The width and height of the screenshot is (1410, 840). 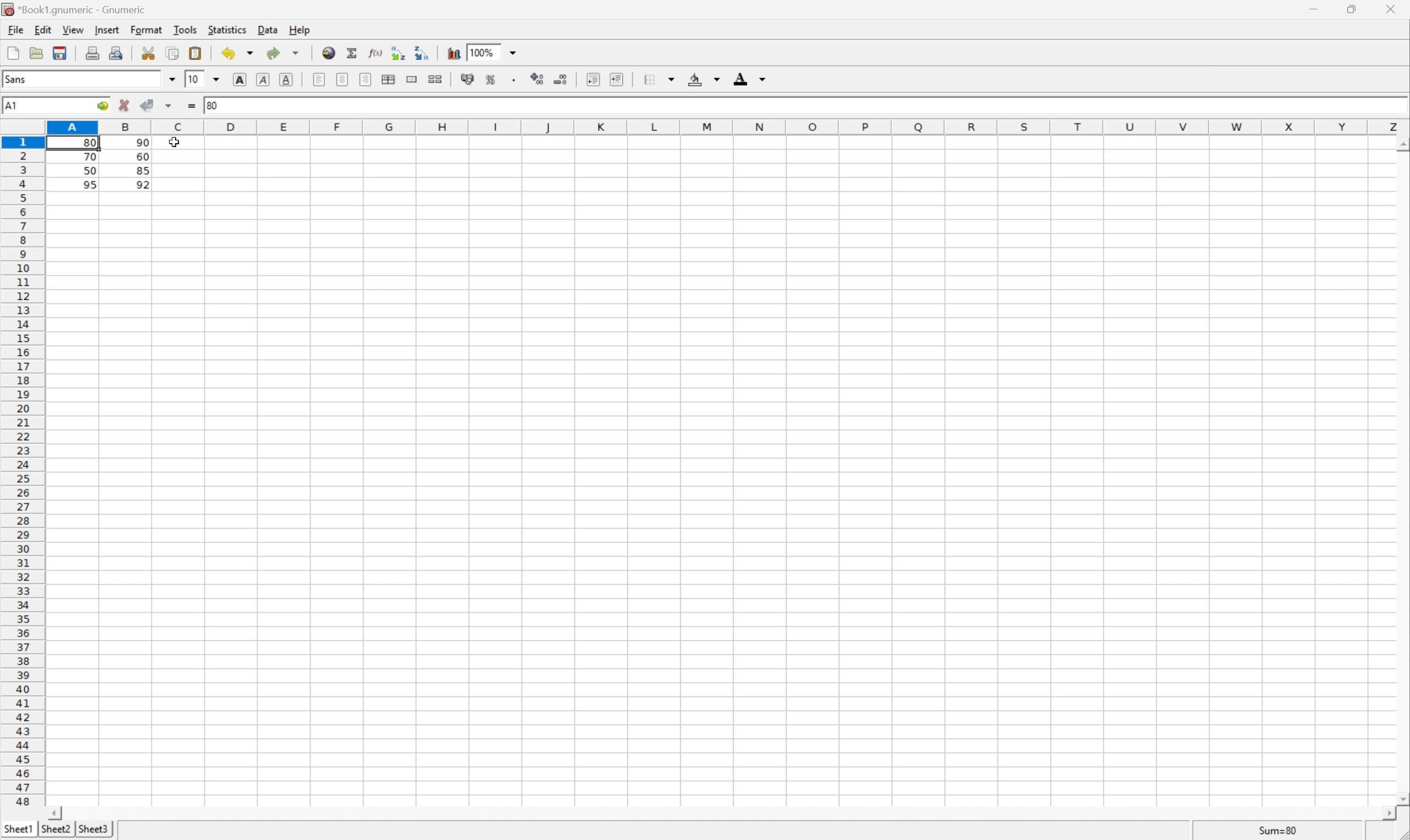 I want to click on Sheet2, so click(x=55, y=829).